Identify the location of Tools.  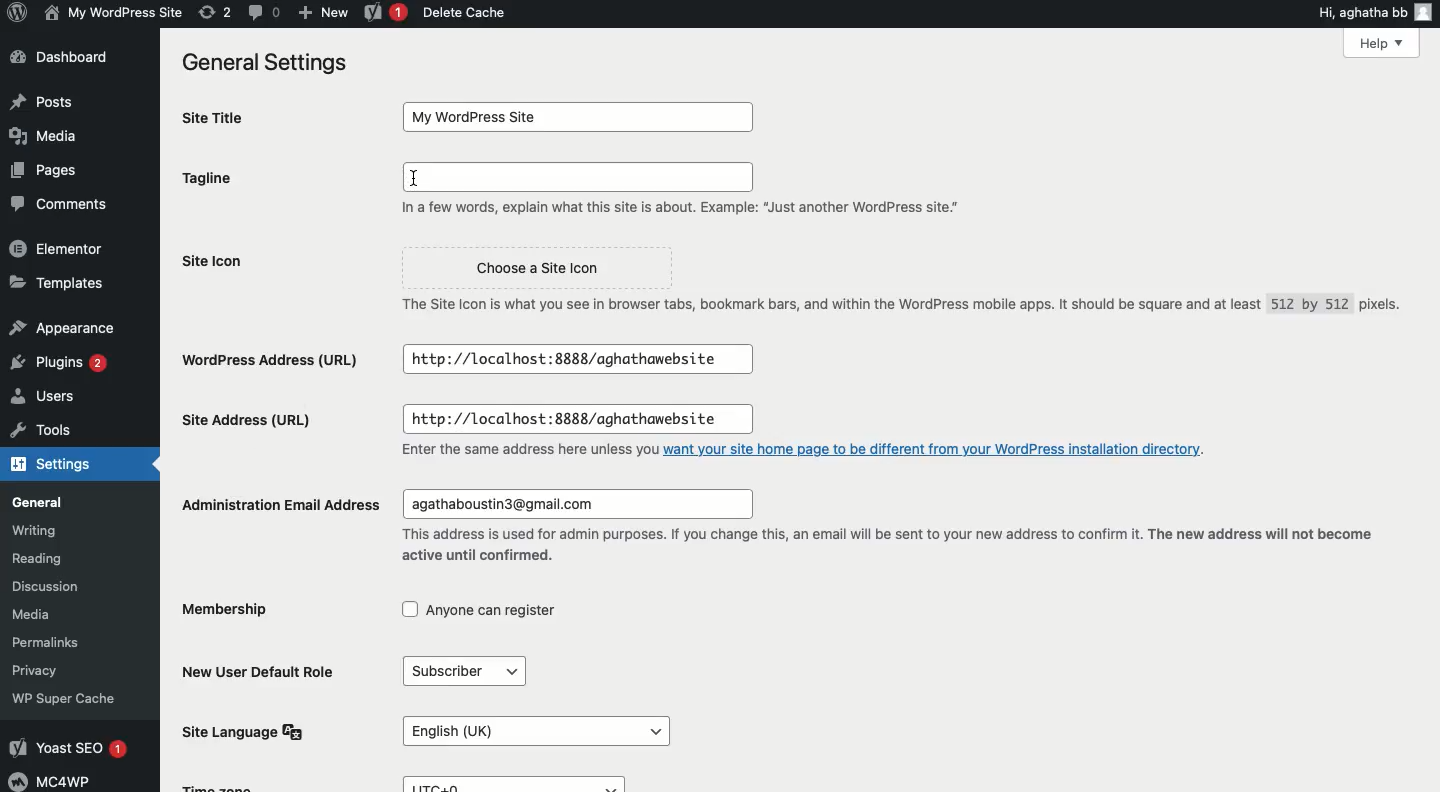
(61, 434).